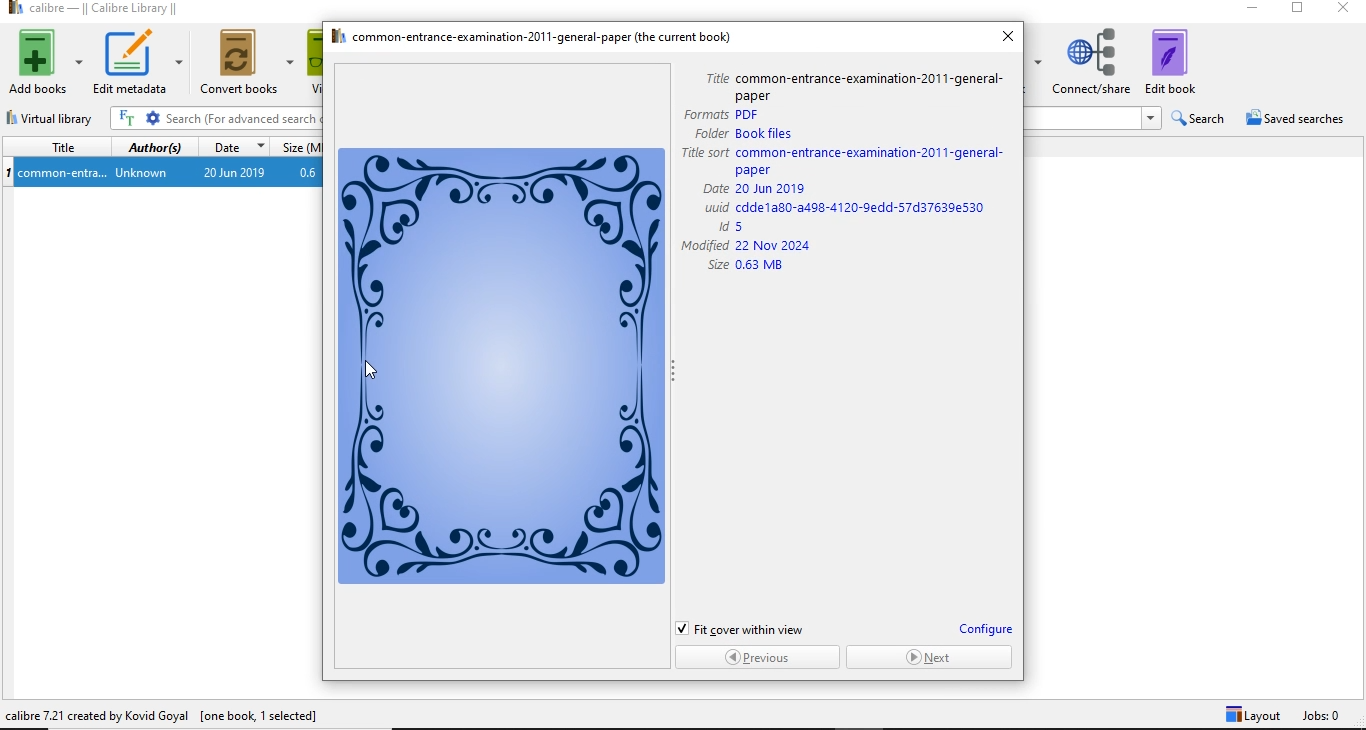 This screenshot has height=730, width=1366. I want to click on Size 0.63 MB, so click(746, 268).